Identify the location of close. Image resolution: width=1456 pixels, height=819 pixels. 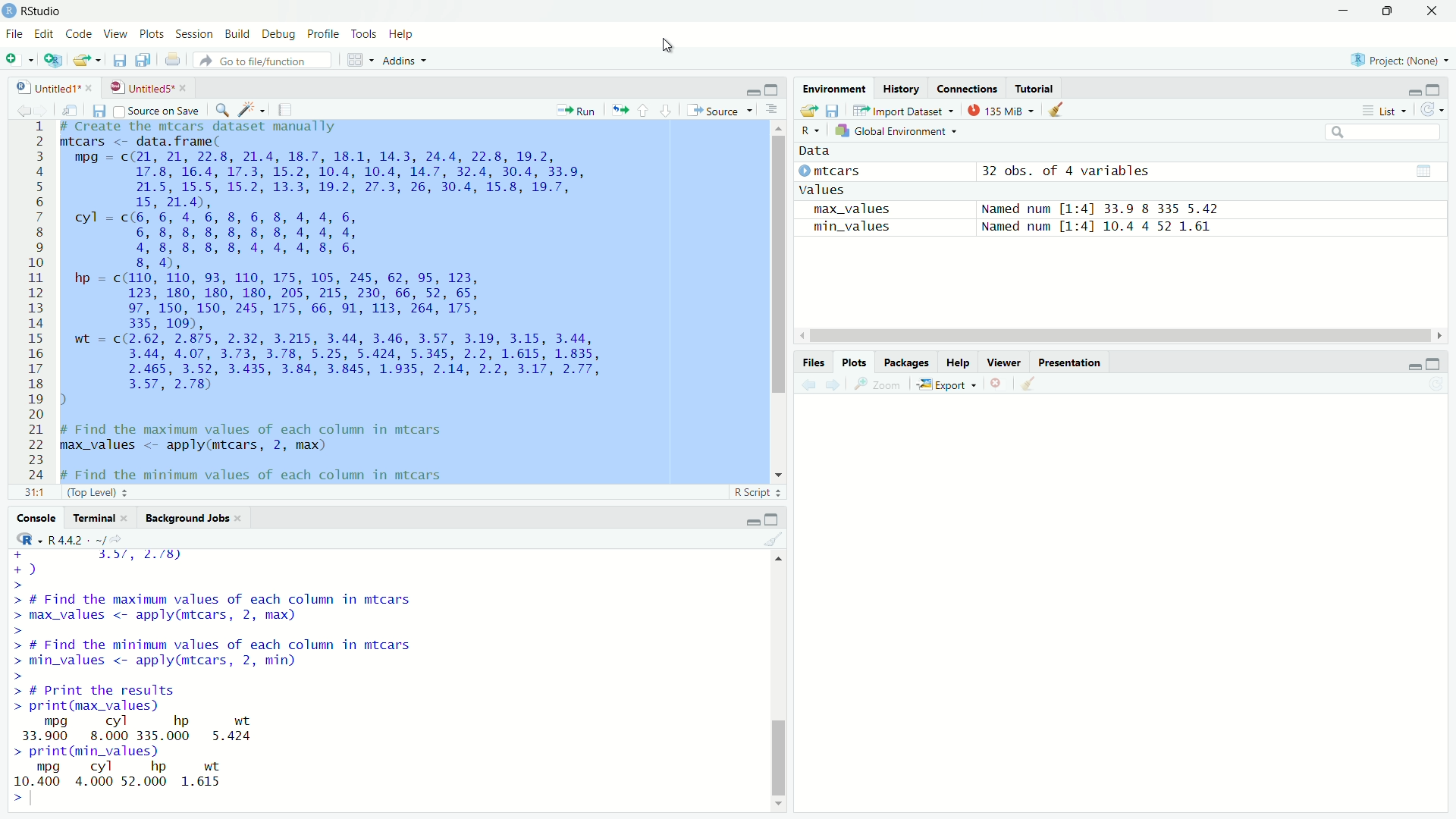
(999, 382).